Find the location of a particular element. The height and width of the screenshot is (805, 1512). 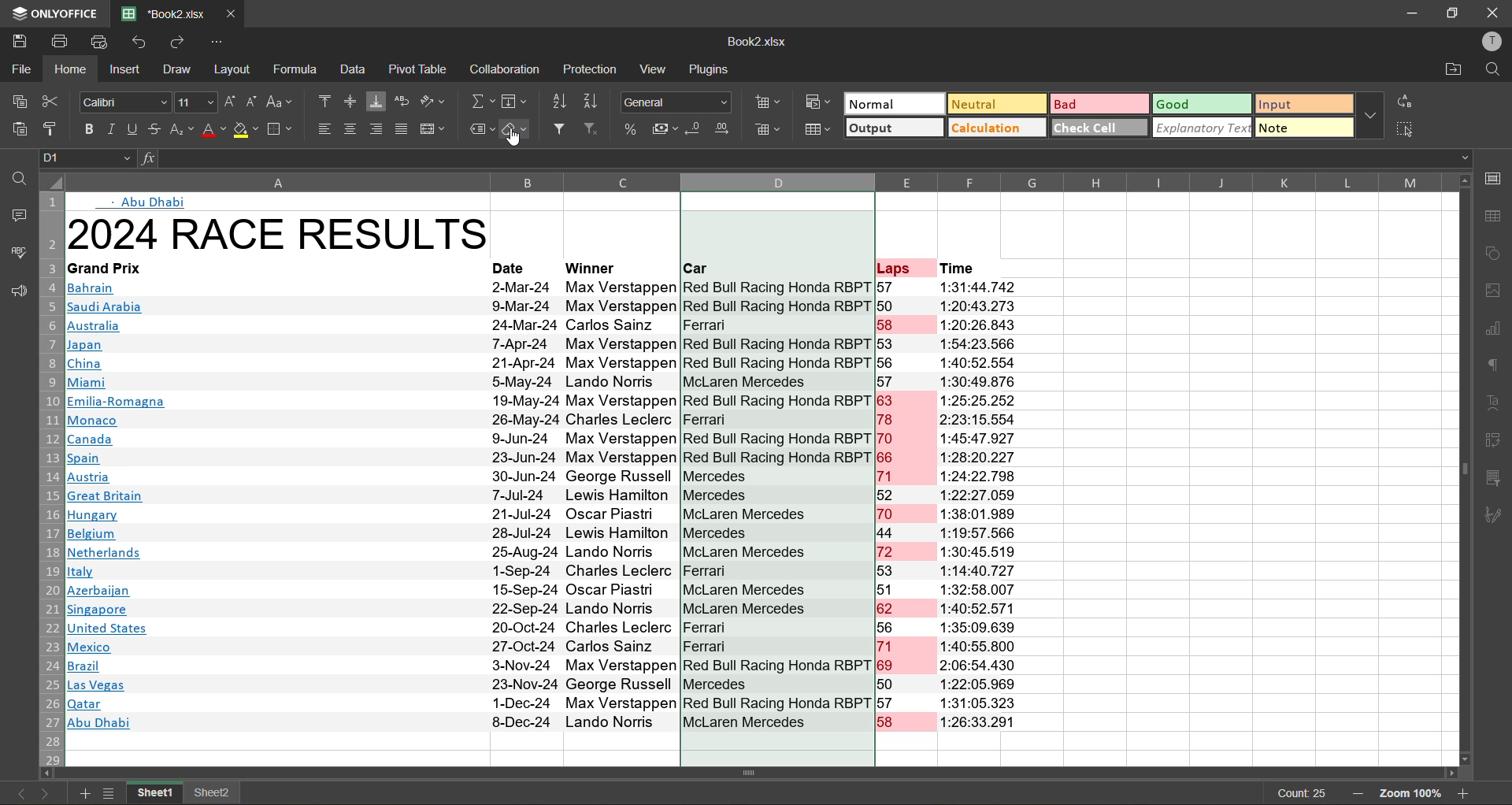

row numbers is located at coordinates (54, 478).